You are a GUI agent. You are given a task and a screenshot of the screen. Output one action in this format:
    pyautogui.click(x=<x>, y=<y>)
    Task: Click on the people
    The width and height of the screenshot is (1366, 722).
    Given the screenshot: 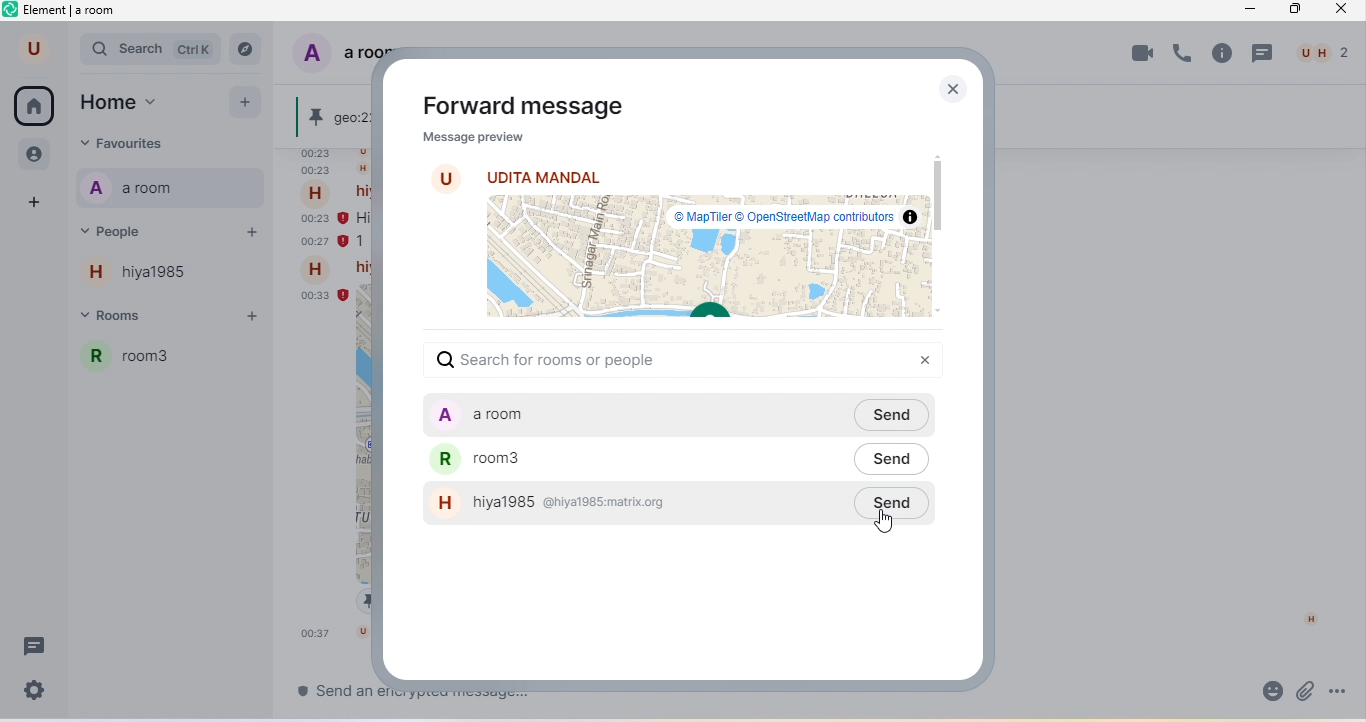 What is the action you would take?
    pyautogui.click(x=1323, y=53)
    